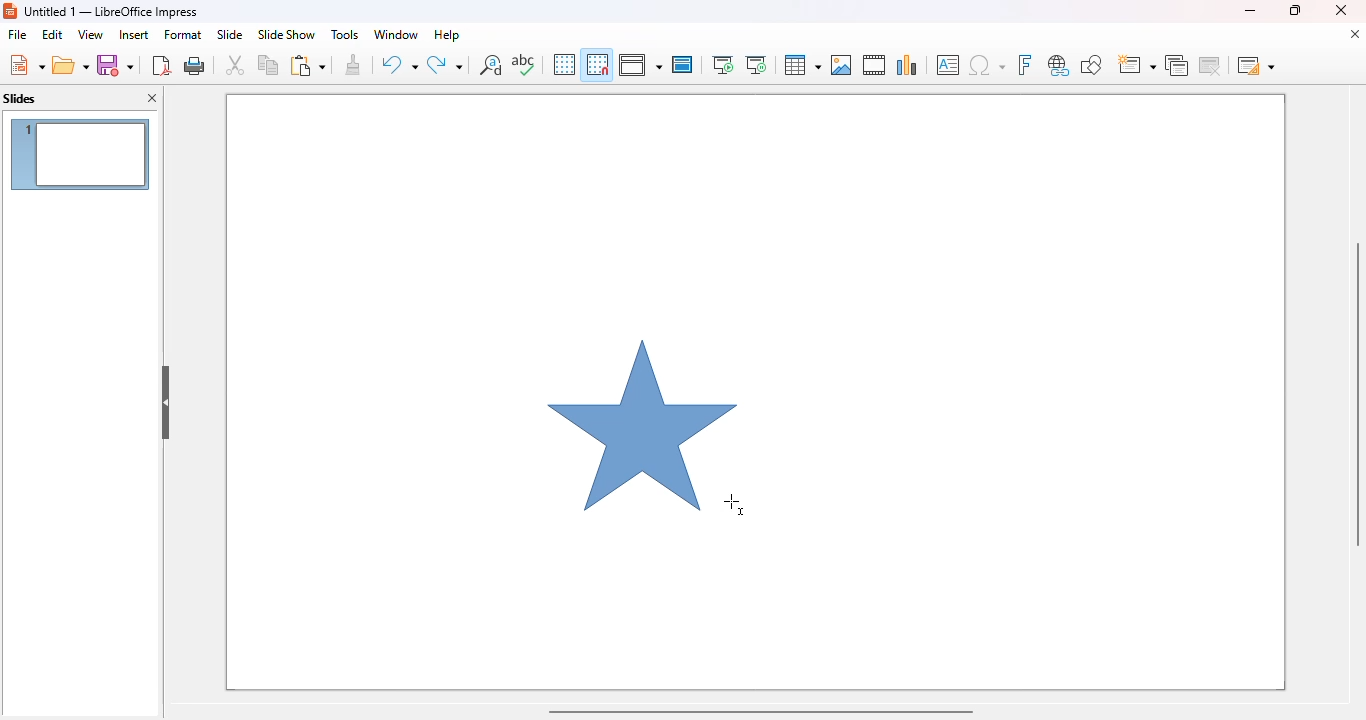 The height and width of the screenshot is (720, 1366). Describe the element at coordinates (90, 34) in the screenshot. I see `view` at that location.